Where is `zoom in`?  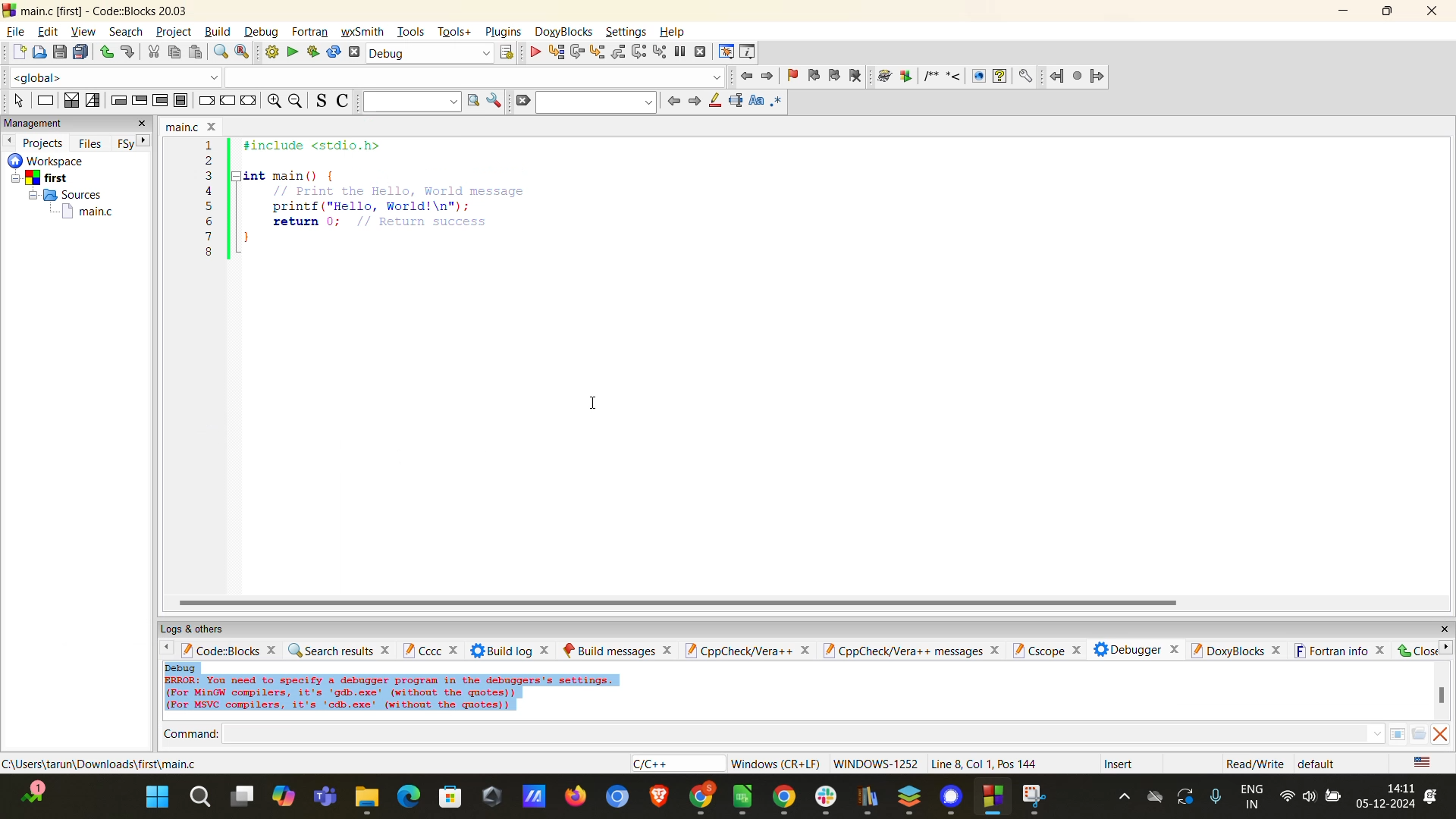
zoom in is located at coordinates (273, 103).